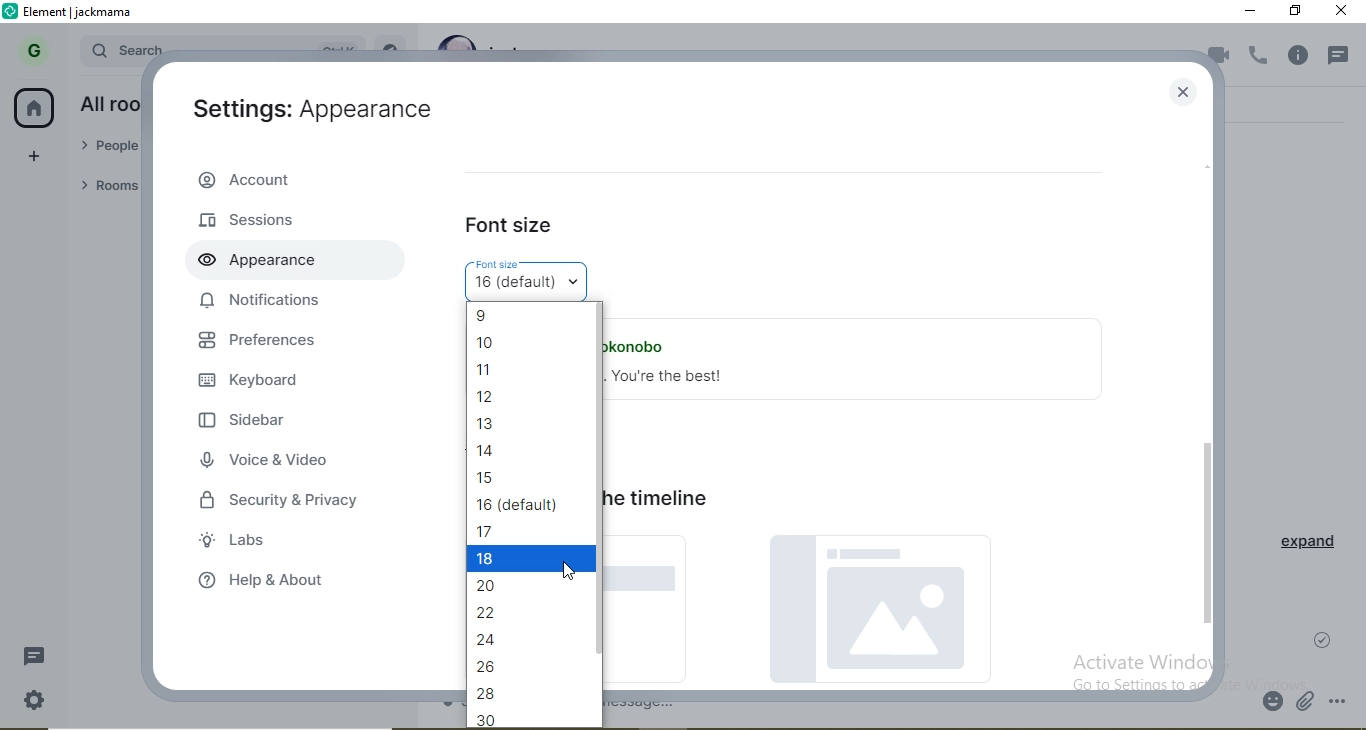 Image resolution: width=1366 pixels, height=730 pixels. I want to click on | 10, so click(515, 343).